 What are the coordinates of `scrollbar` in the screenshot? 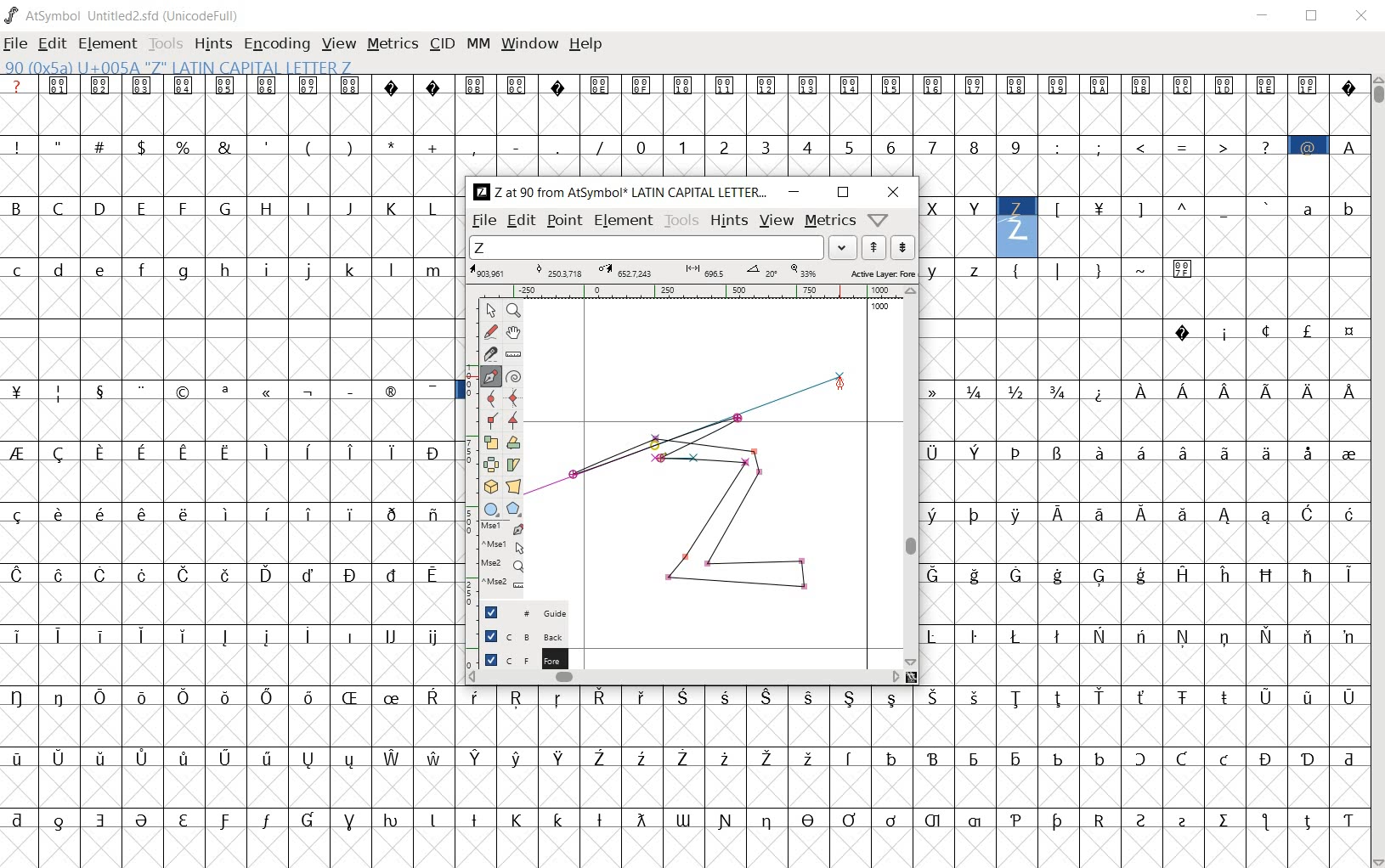 It's located at (685, 679).